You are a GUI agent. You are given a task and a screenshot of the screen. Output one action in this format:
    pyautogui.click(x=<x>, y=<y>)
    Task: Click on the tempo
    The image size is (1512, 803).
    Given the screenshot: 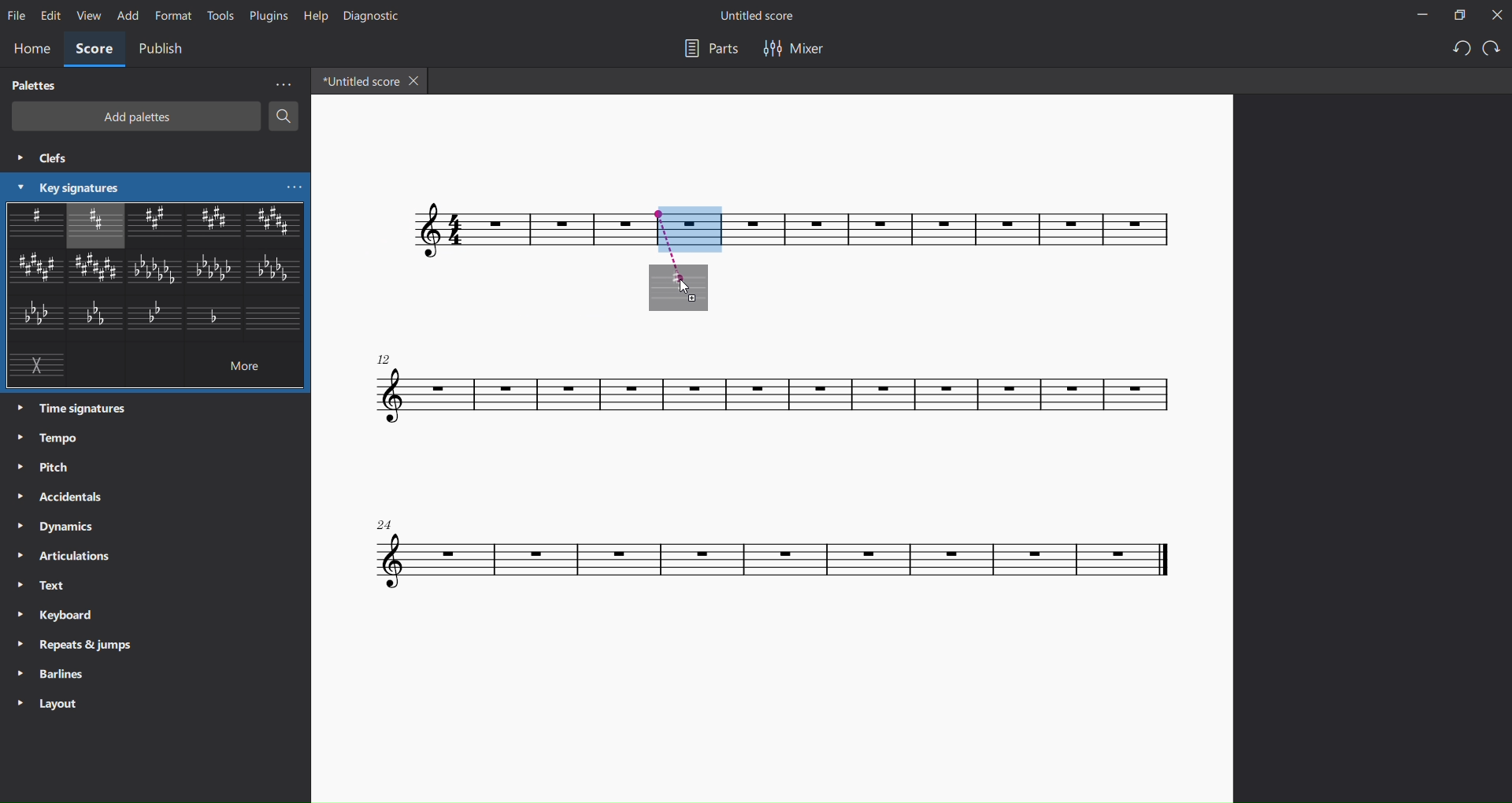 What is the action you would take?
    pyautogui.click(x=49, y=439)
    